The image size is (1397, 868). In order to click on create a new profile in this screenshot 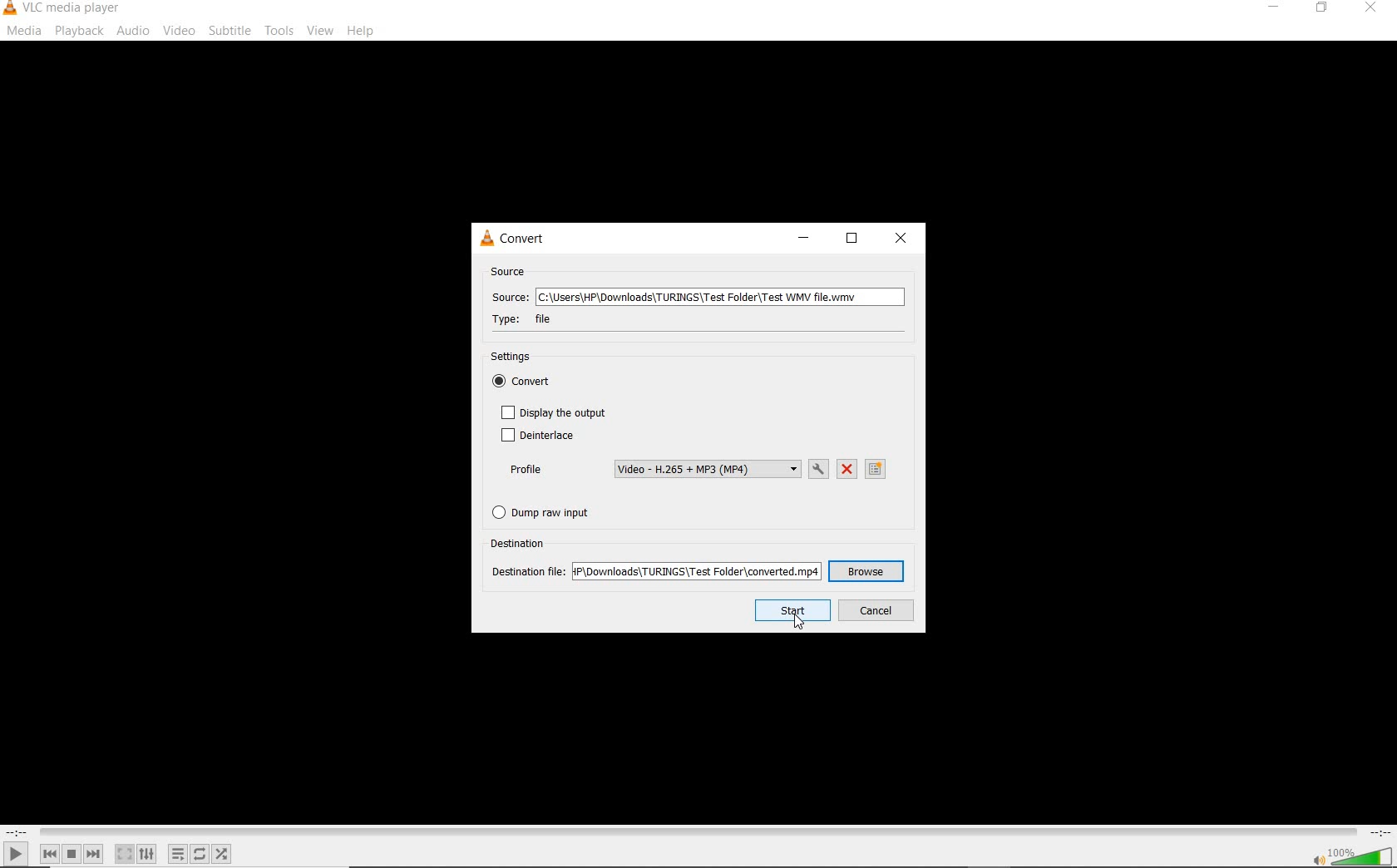, I will do `click(877, 469)`.